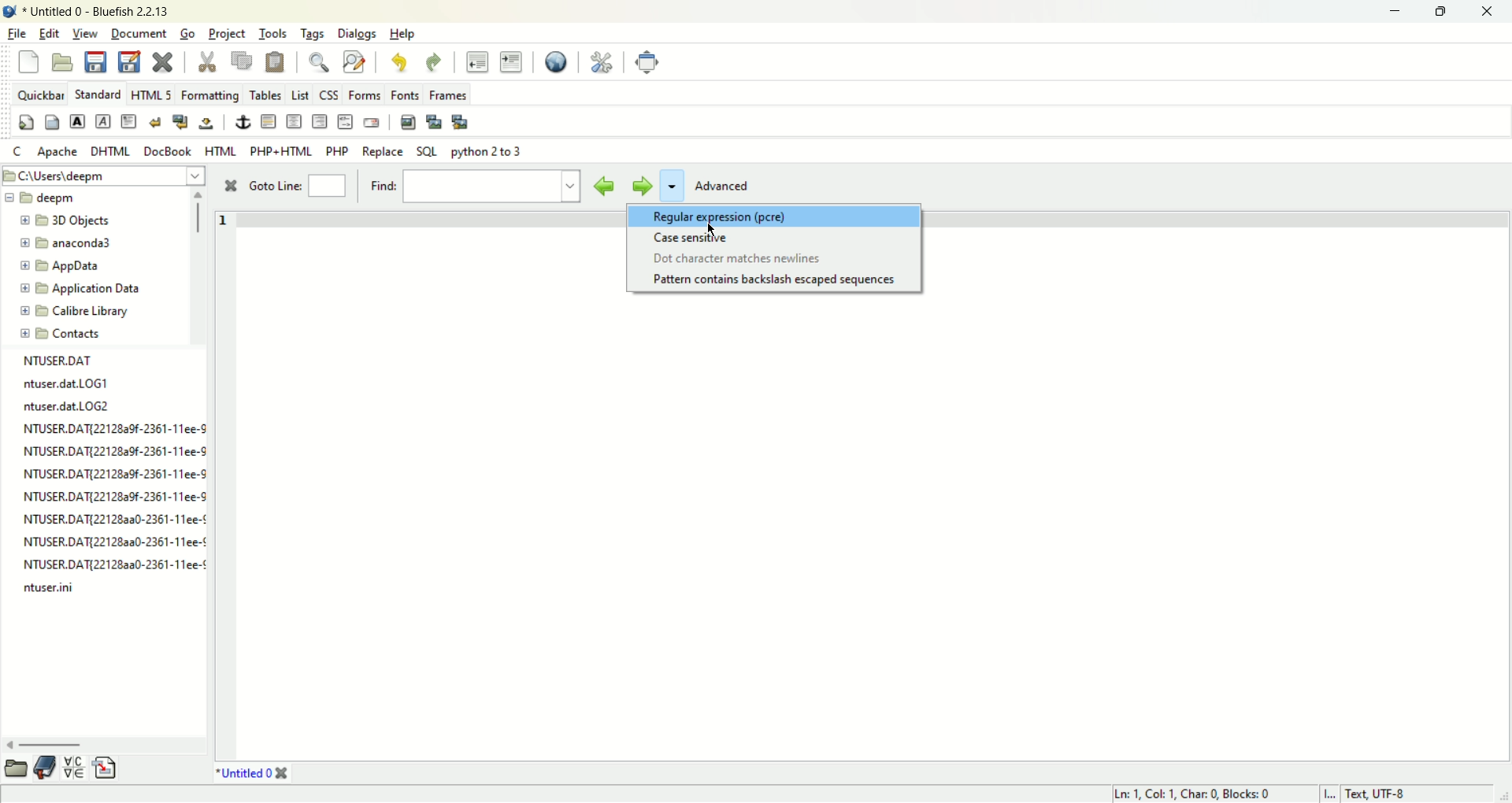 The image size is (1512, 803). I want to click on ntuser.dat.LOG1, so click(71, 383).